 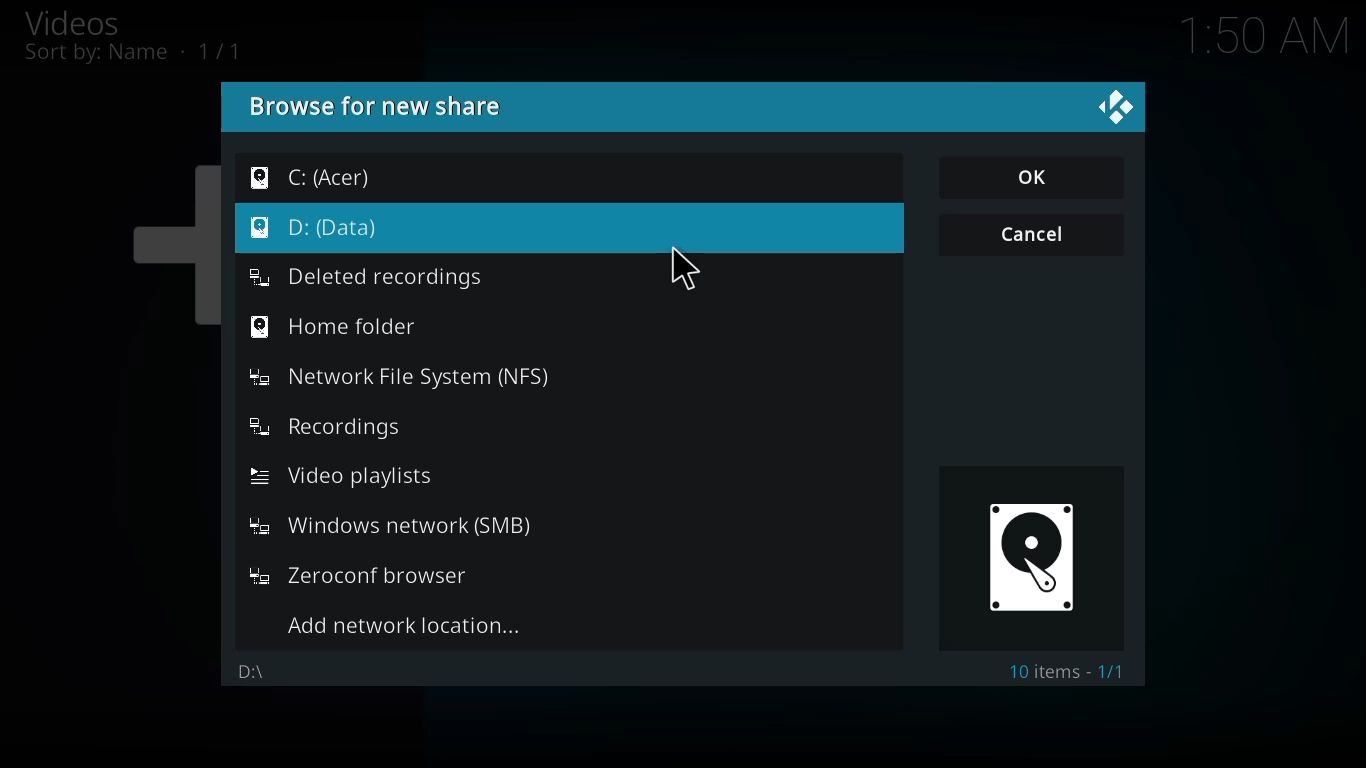 I want to click on windows network, so click(x=387, y=525).